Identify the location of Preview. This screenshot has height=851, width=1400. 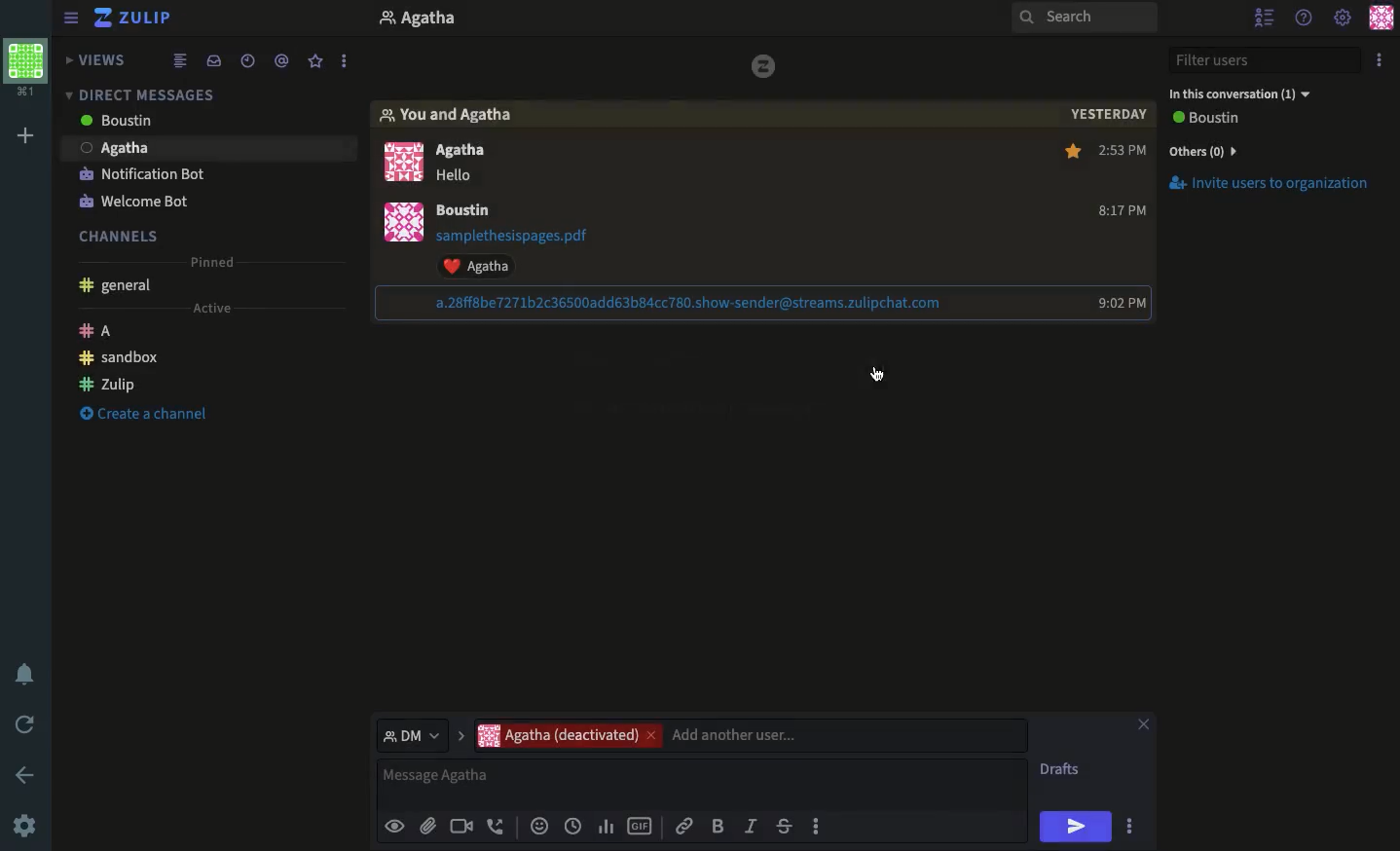
(394, 825).